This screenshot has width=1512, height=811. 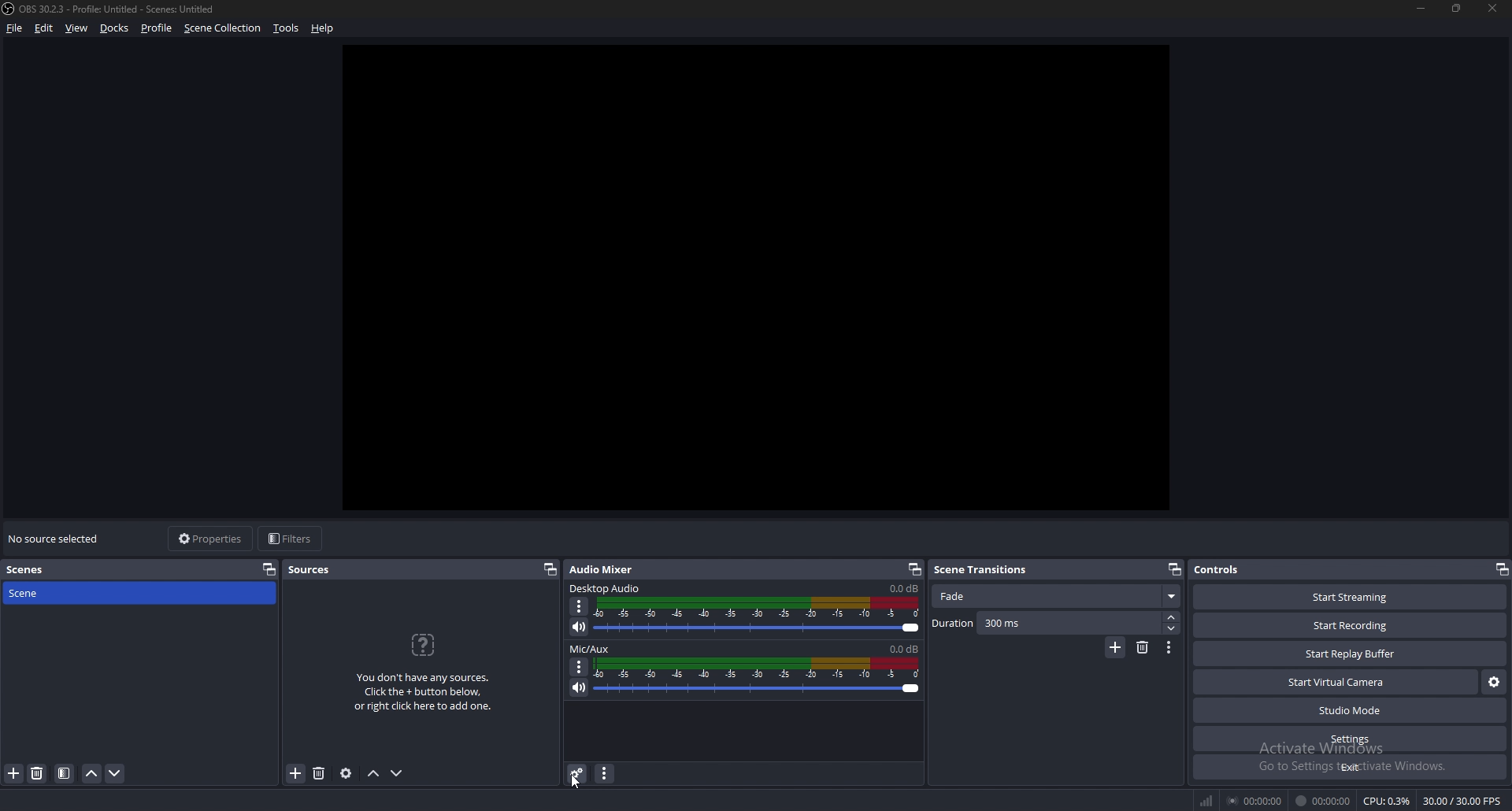 What do you see at coordinates (347, 772) in the screenshot?
I see `source properties` at bounding box center [347, 772].